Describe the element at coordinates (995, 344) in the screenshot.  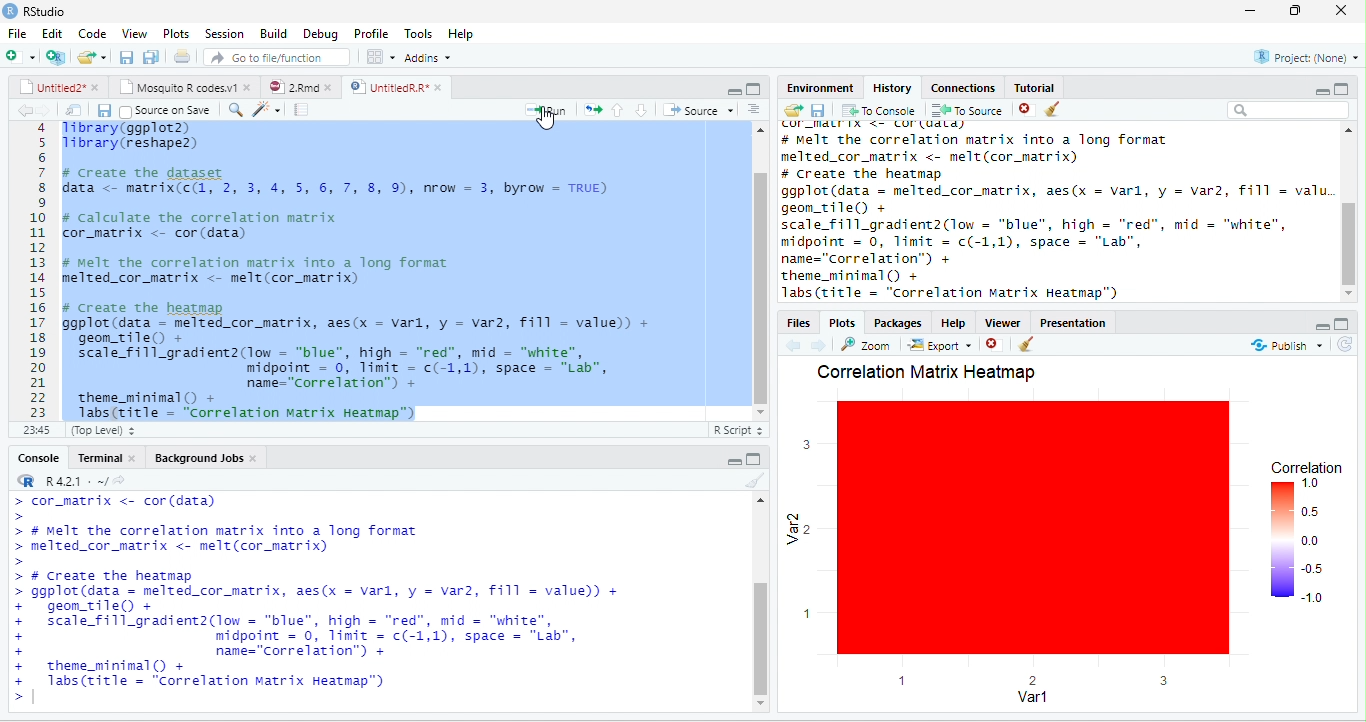
I see `CLOSE` at that location.